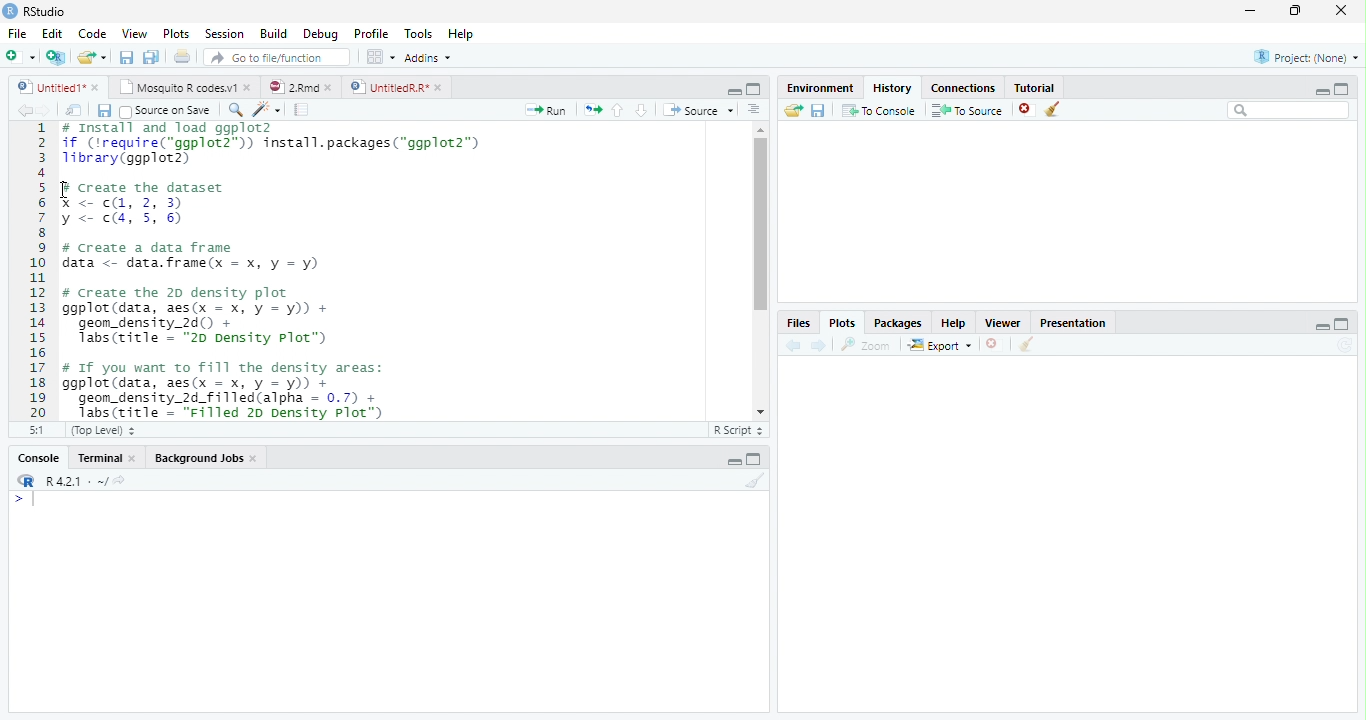 Image resolution: width=1366 pixels, height=720 pixels. Describe the element at coordinates (175, 33) in the screenshot. I see `Plots` at that location.